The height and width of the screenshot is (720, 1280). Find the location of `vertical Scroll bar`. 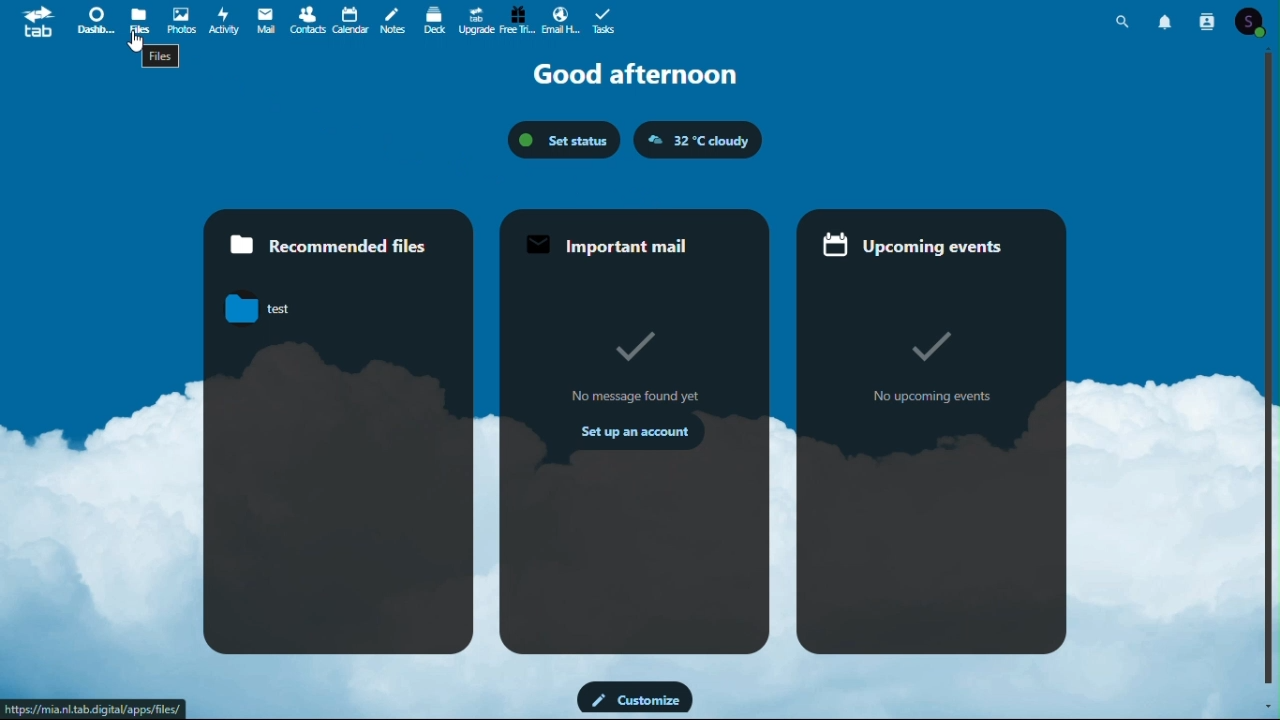

vertical Scroll bar is located at coordinates (1272, 369).